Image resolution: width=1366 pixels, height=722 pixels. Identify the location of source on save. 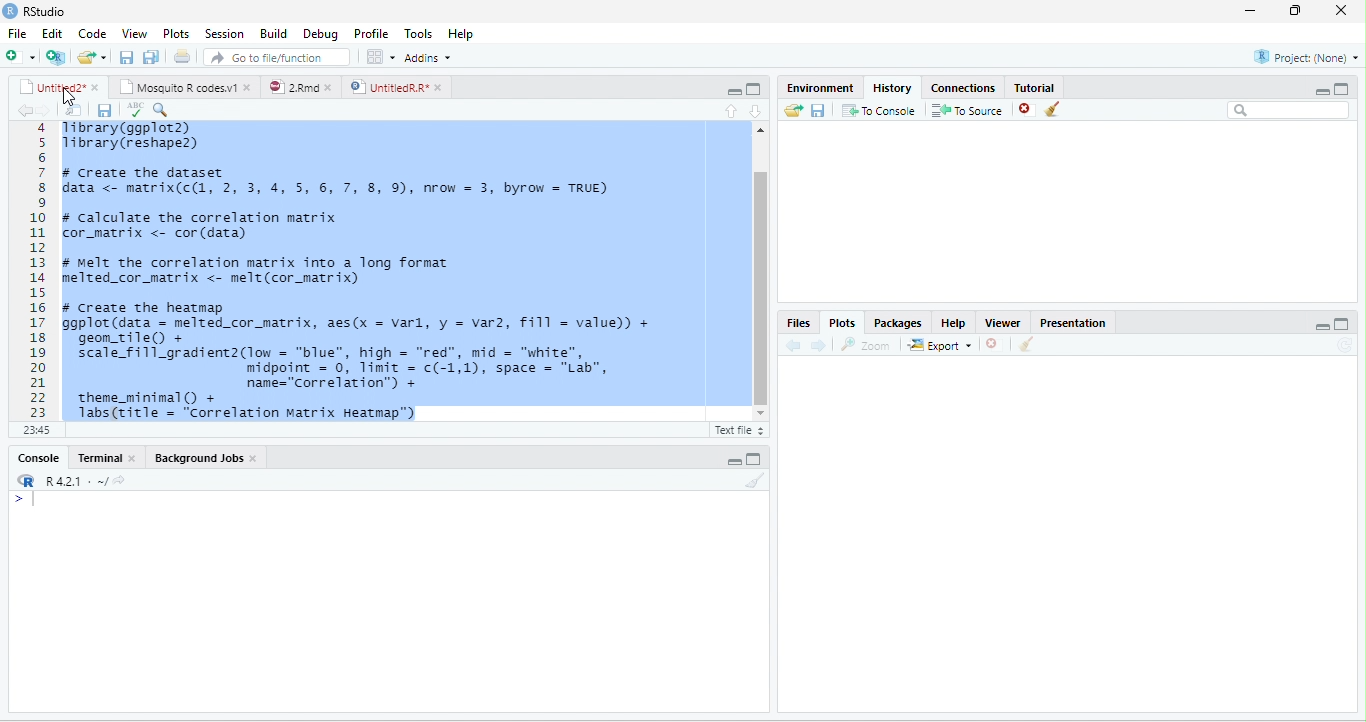
(169, 109).